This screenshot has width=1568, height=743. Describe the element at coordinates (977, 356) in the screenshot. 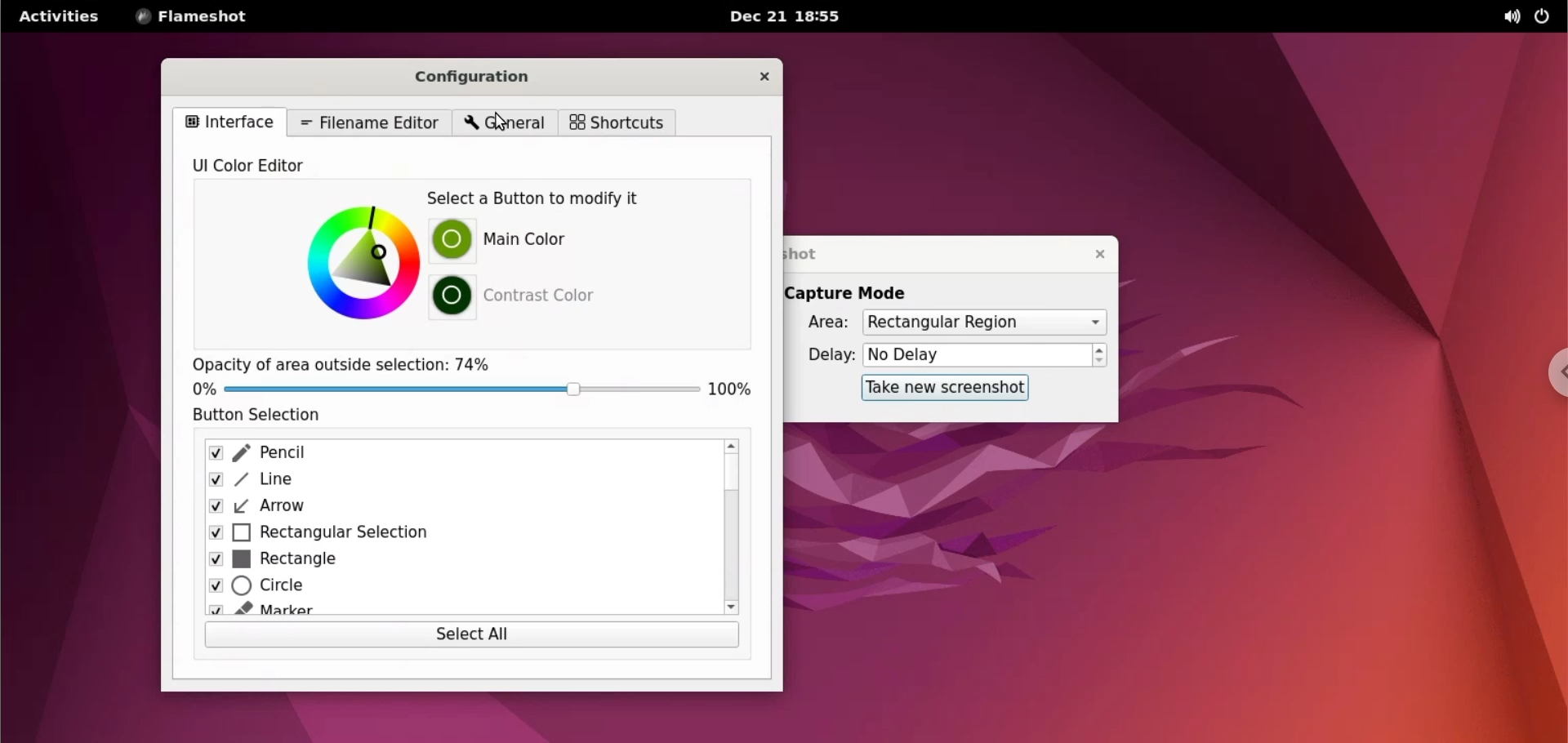

I see `No Delay` at that location.